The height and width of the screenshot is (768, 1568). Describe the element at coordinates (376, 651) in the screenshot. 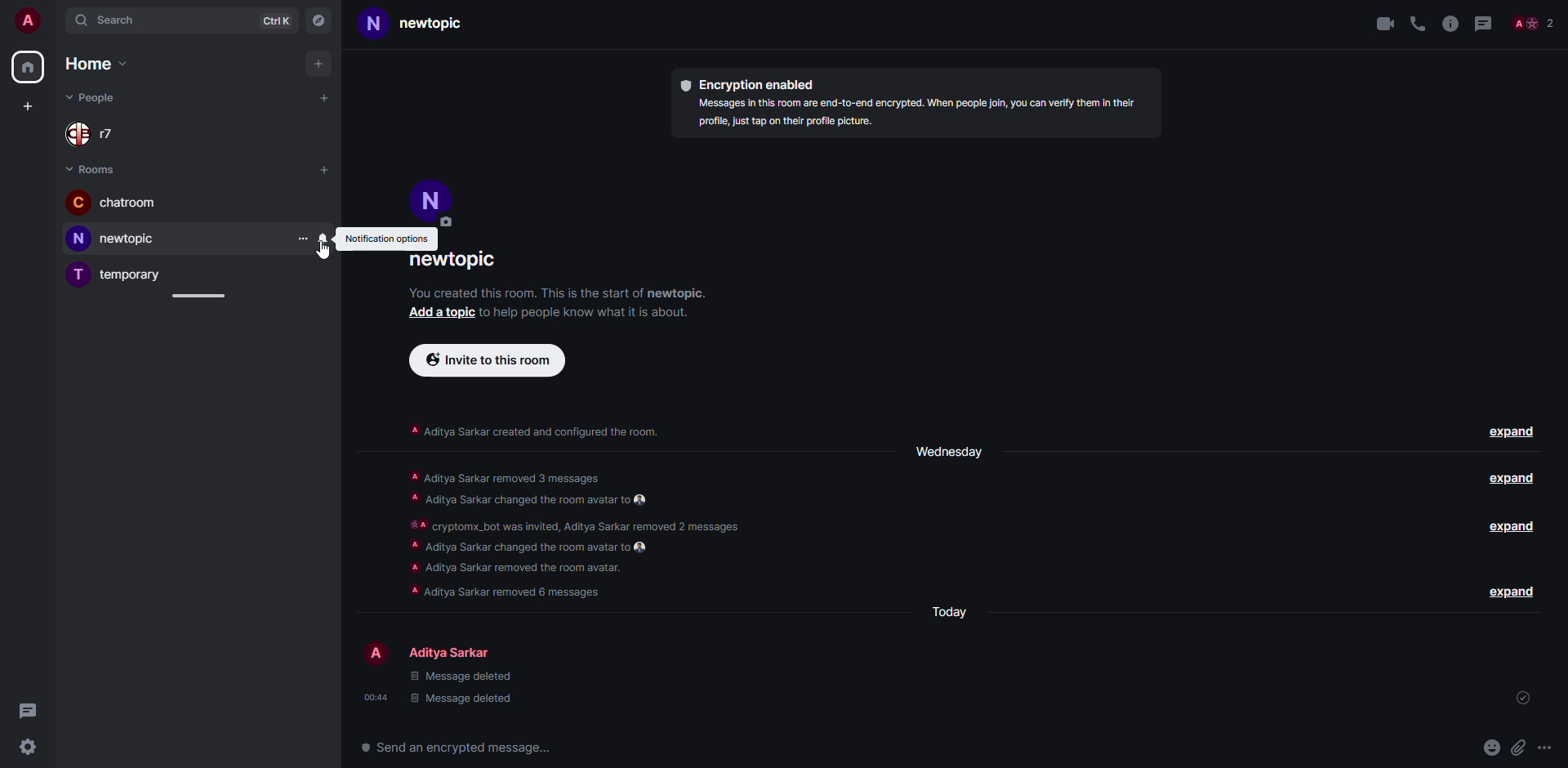

I see `profile` at that location.